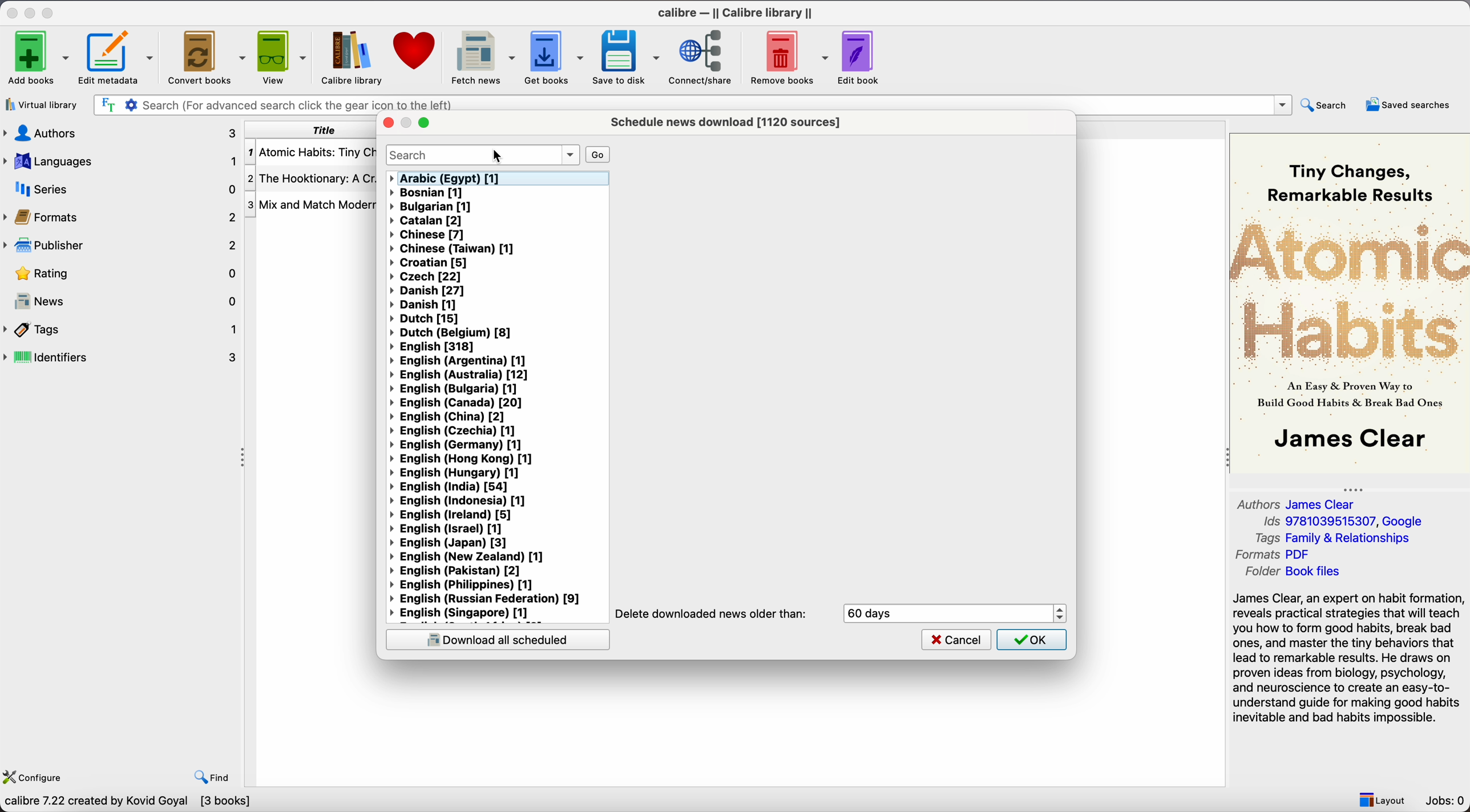 The width and height of the screenshot is (1470, 812). I want to click on The Hooktionary: A Cr..., so click(312, 179).